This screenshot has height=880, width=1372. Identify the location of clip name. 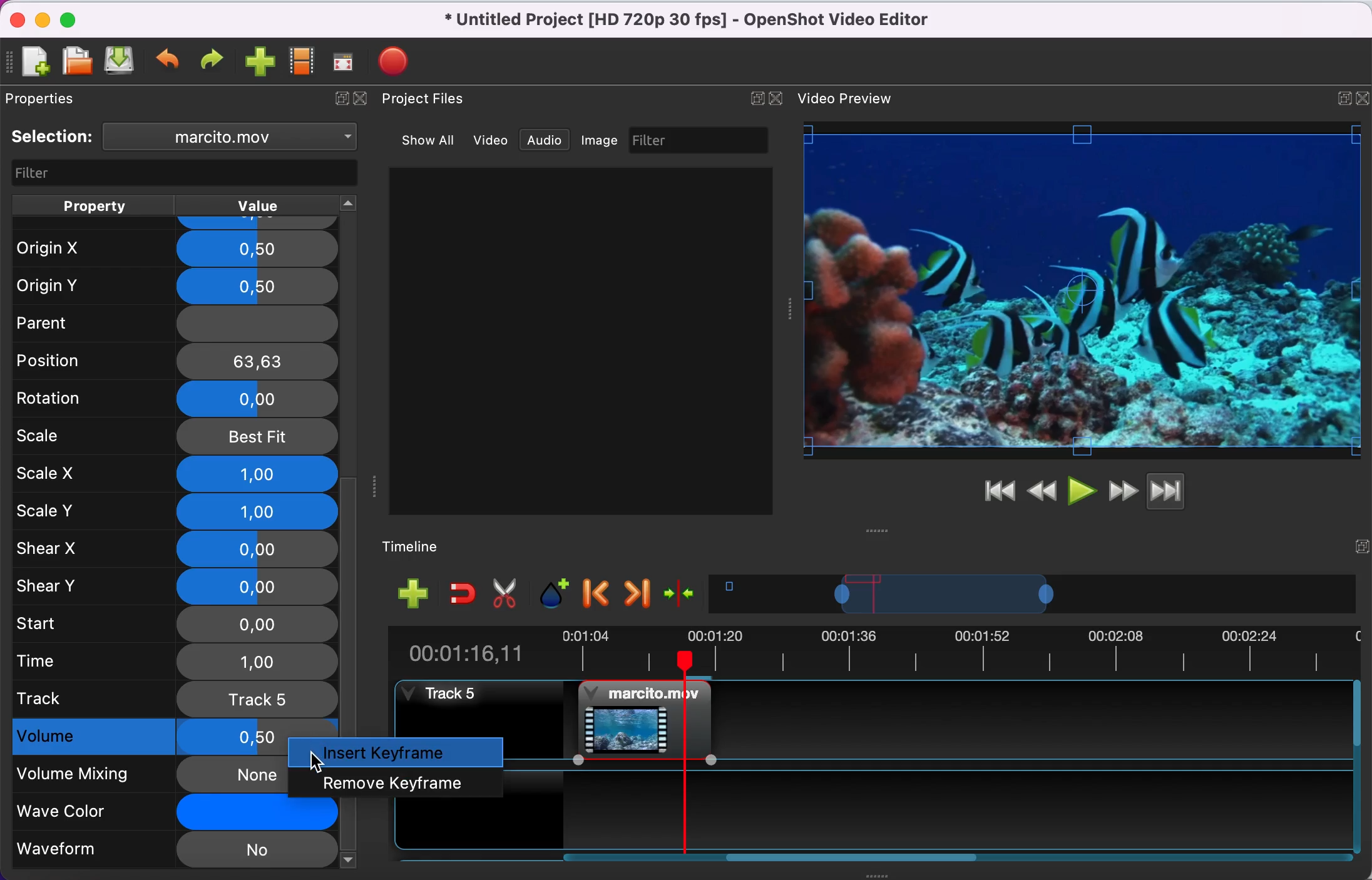
(232, 139).